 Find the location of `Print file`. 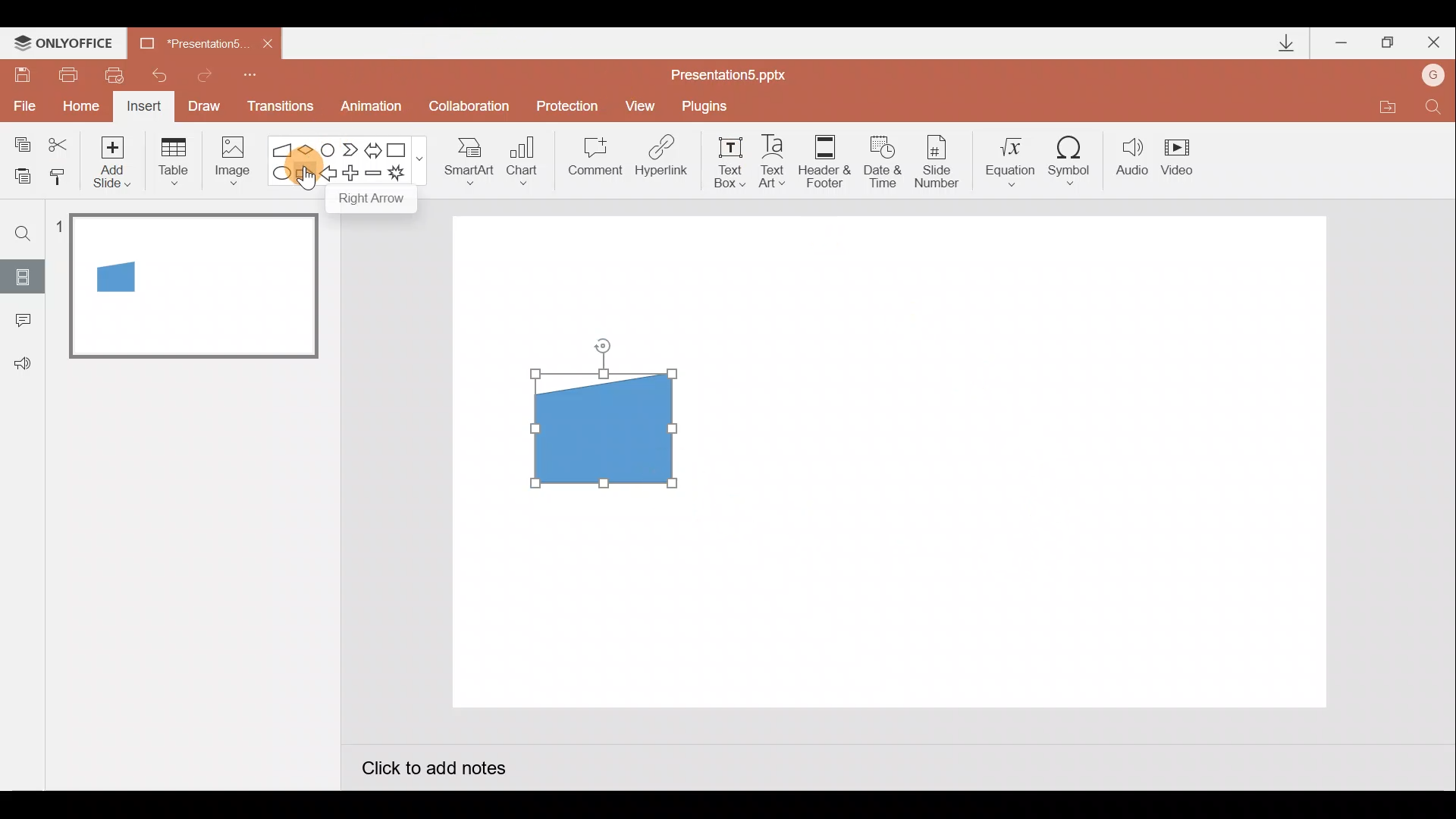

Print file is located at coordinates (65, 74).